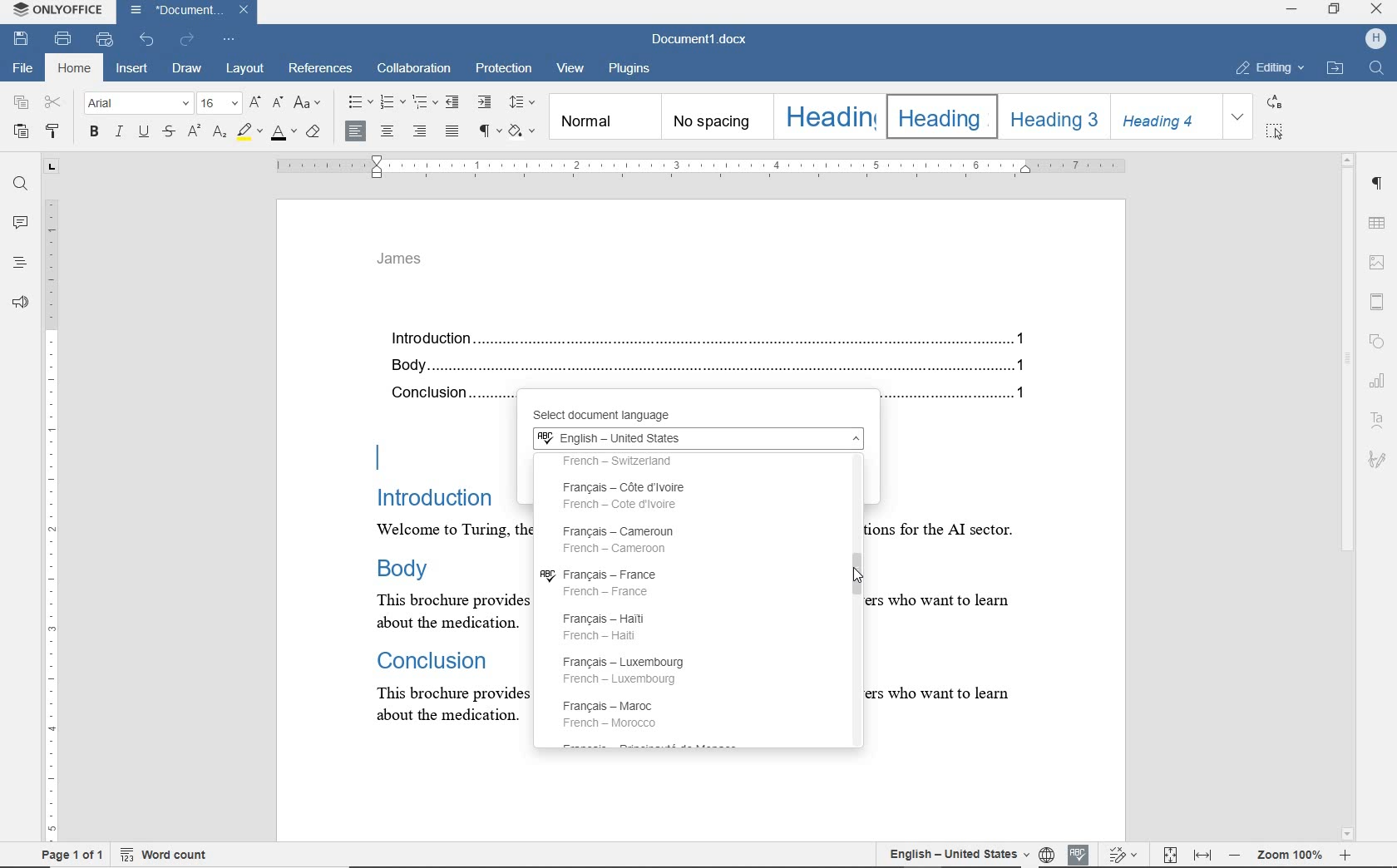 This screenshot has height=868, width=1397. What do you see at coordinates (387, 132) in the screenshot?
I see `align center` at bounding box center [387, 132].